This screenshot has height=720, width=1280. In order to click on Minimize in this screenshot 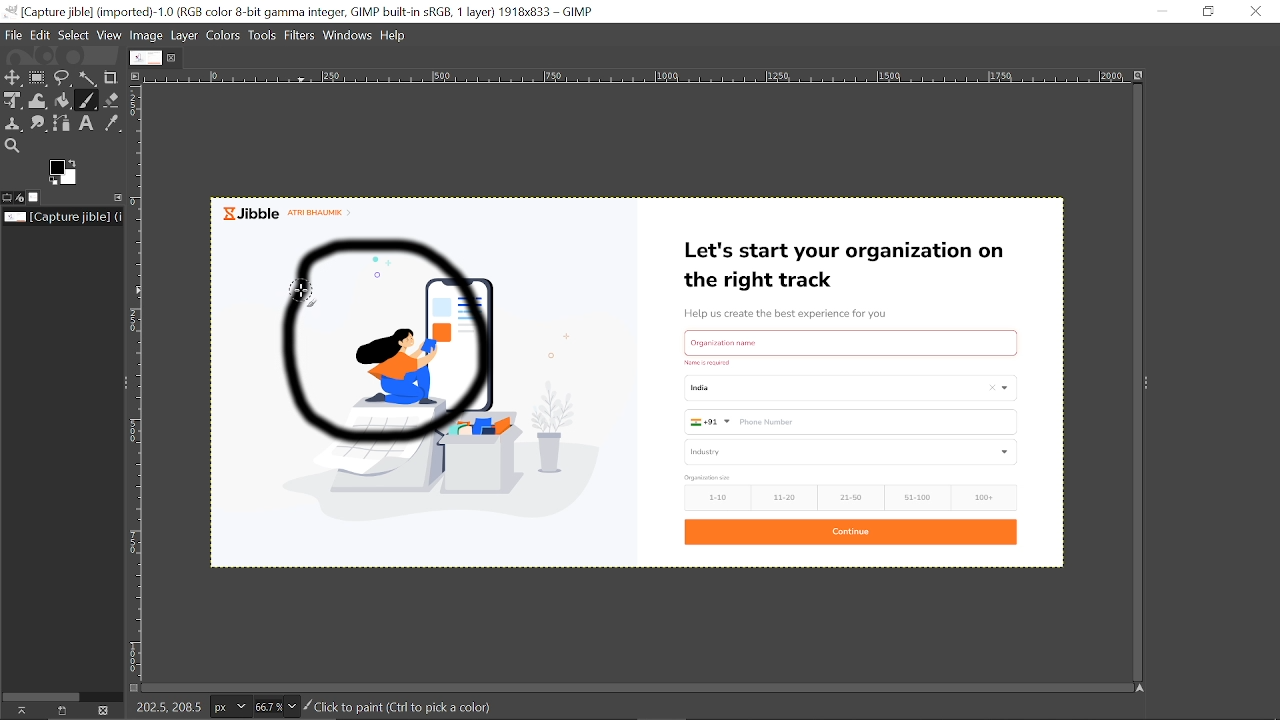, I will do `click(1162, 10)`.